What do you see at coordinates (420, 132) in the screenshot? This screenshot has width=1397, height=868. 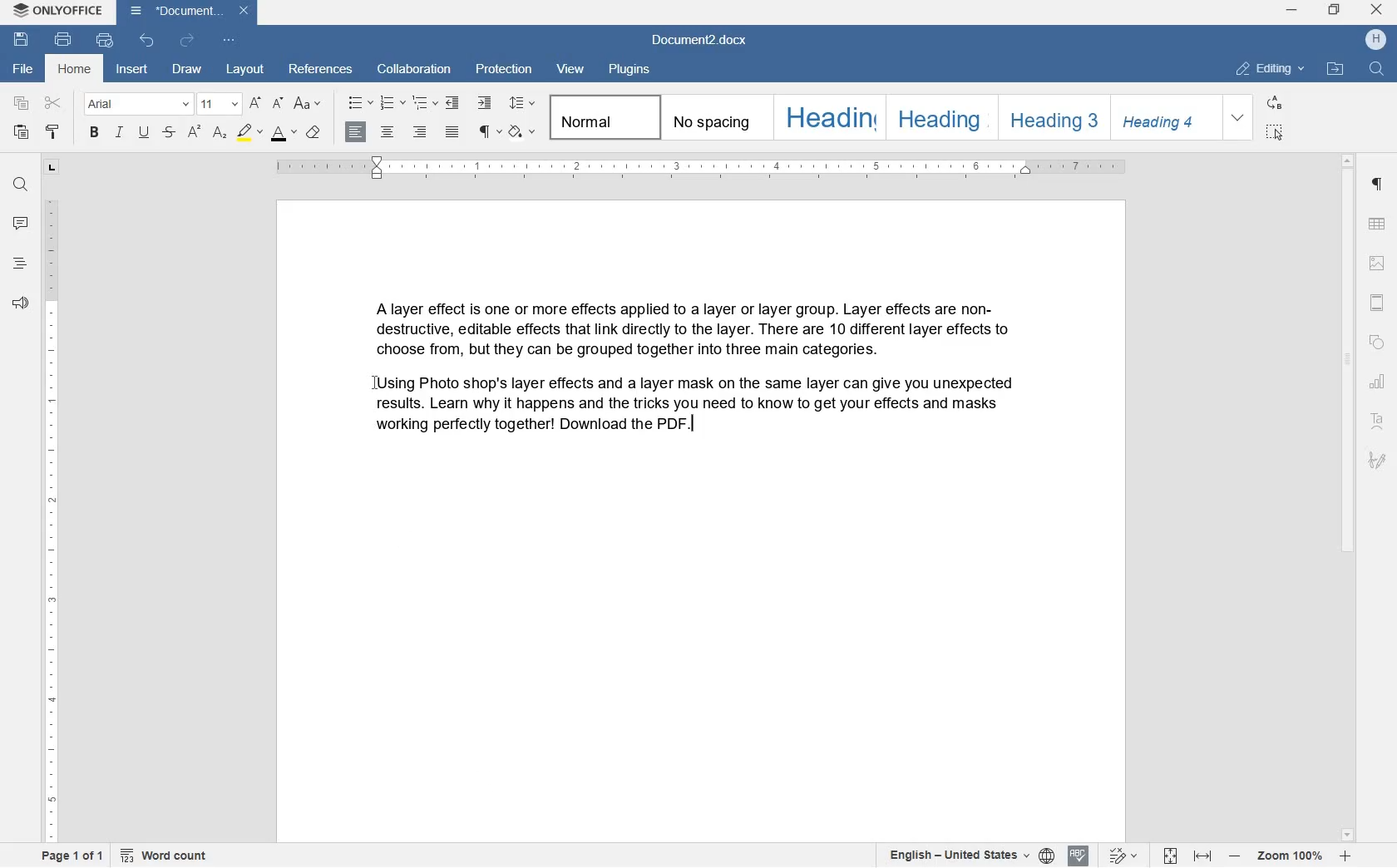 I see `RIGHT ALIGNMENT` at bounding box center [420, 132].